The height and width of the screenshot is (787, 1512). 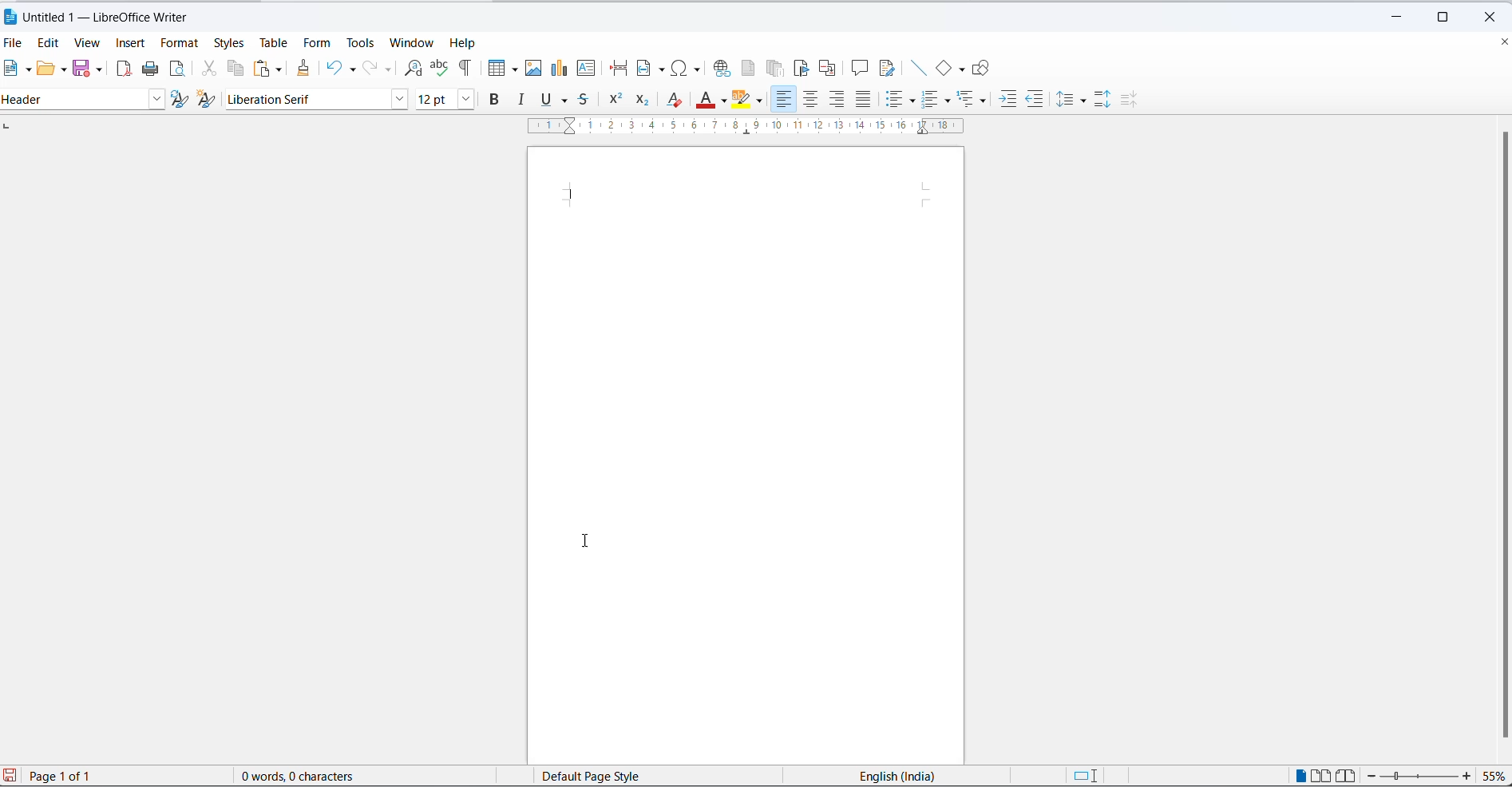 I want to click on cursor, so click(x=584, y=541).